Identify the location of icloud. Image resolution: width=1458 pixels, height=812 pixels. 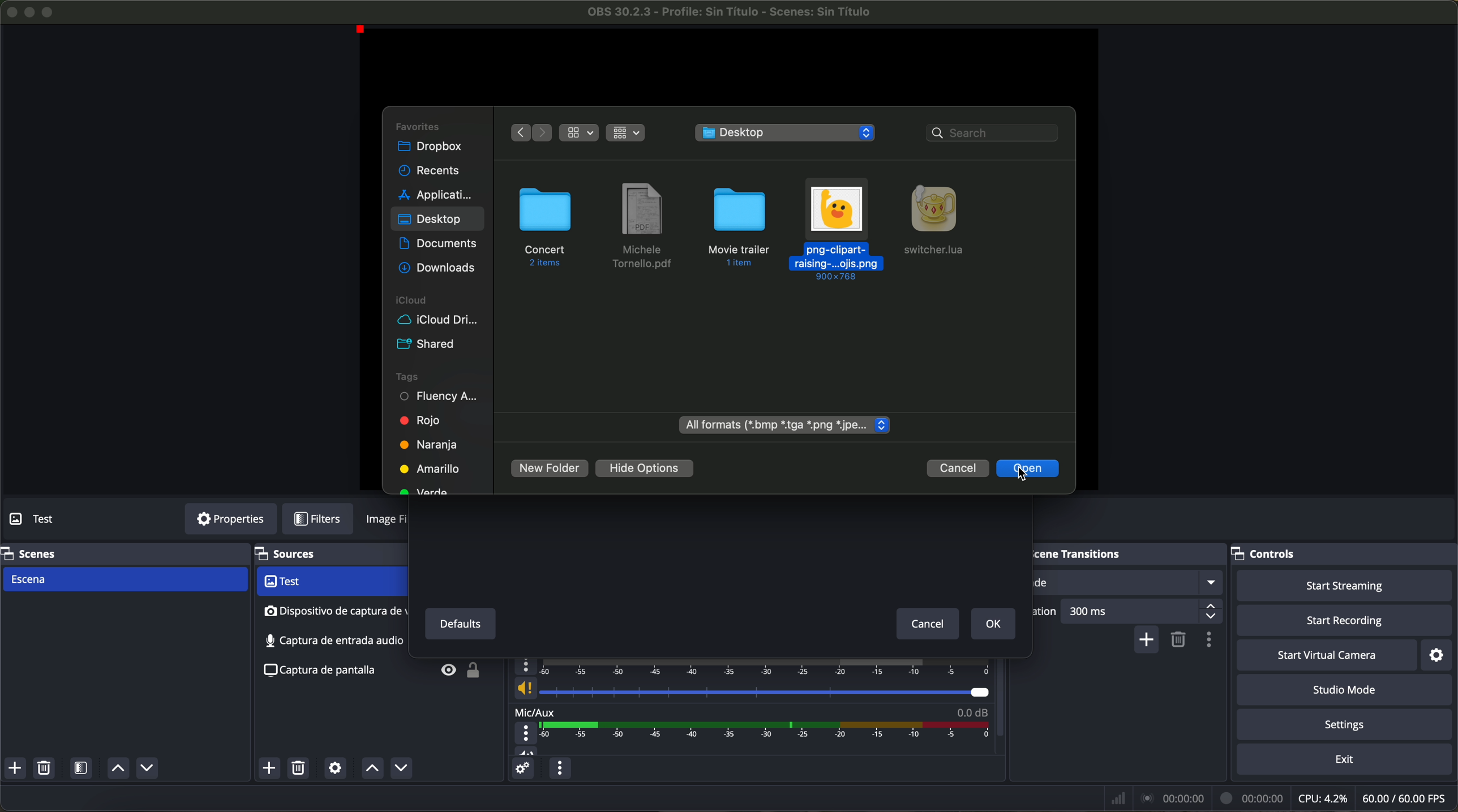
(409, 301).